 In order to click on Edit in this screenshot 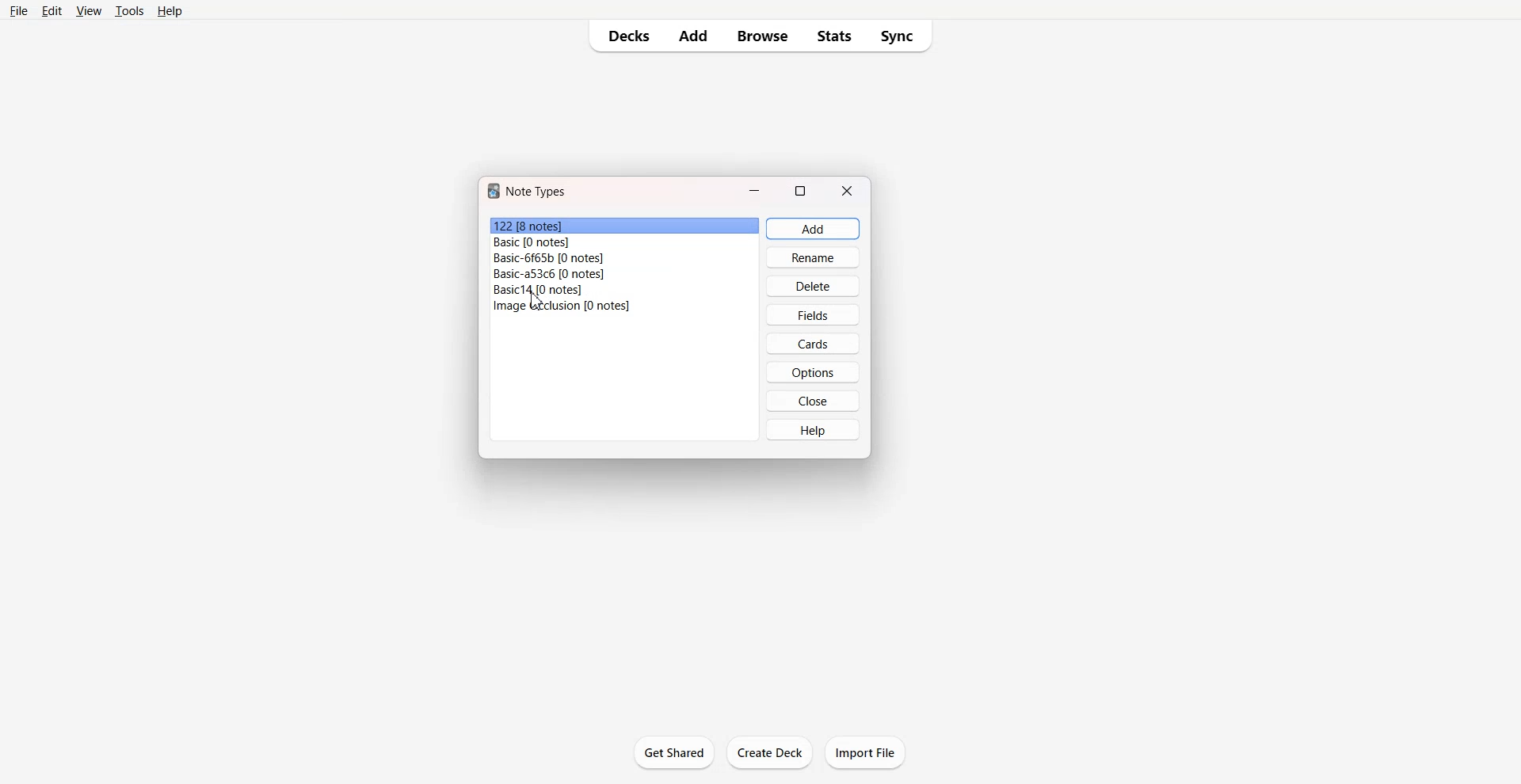, I will do `click(51, 11)`.